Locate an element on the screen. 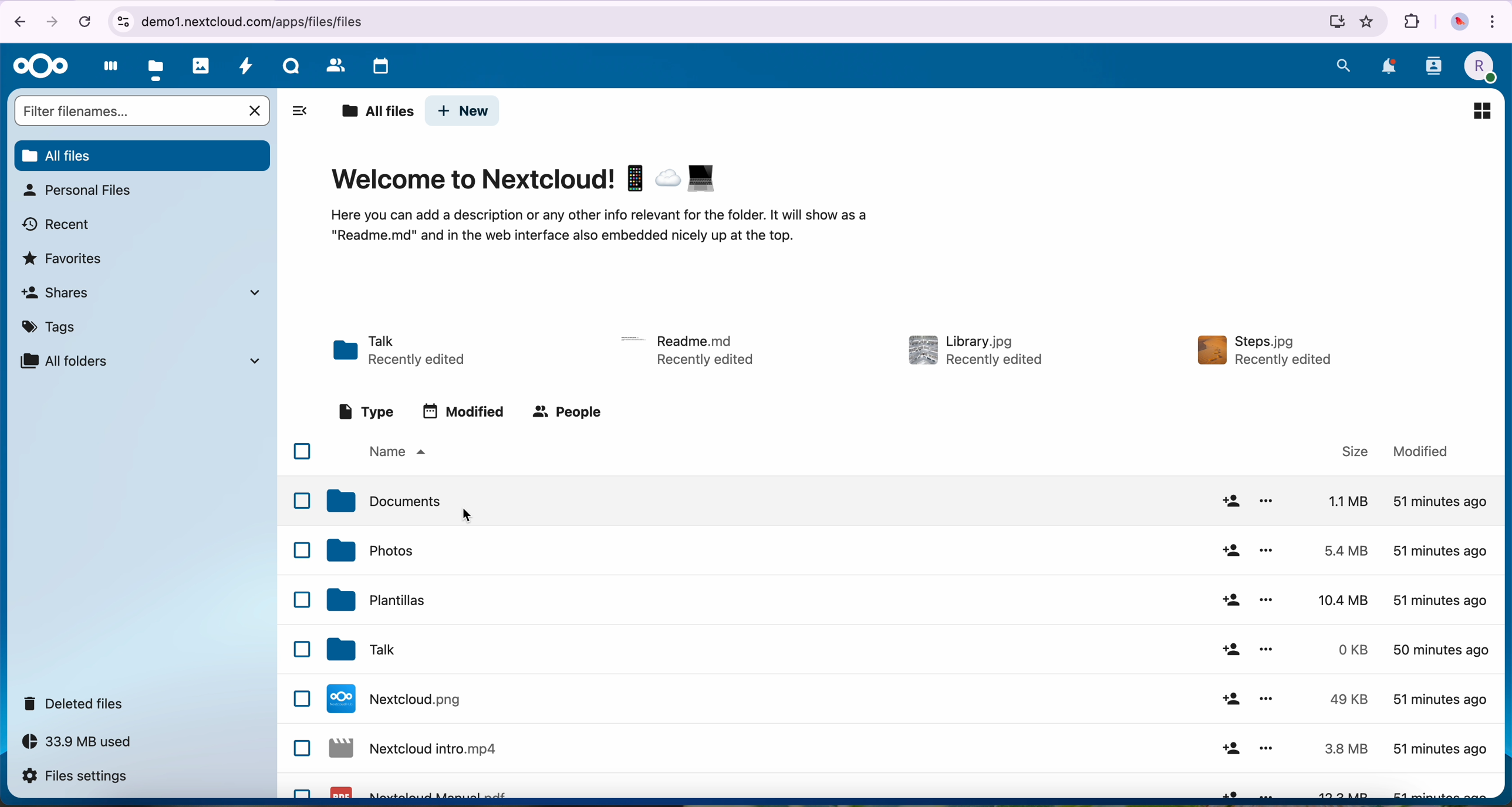 Image resolution: width=1512 pixels, height=807 pixels. extensions is located at coordinates (1412, 22).